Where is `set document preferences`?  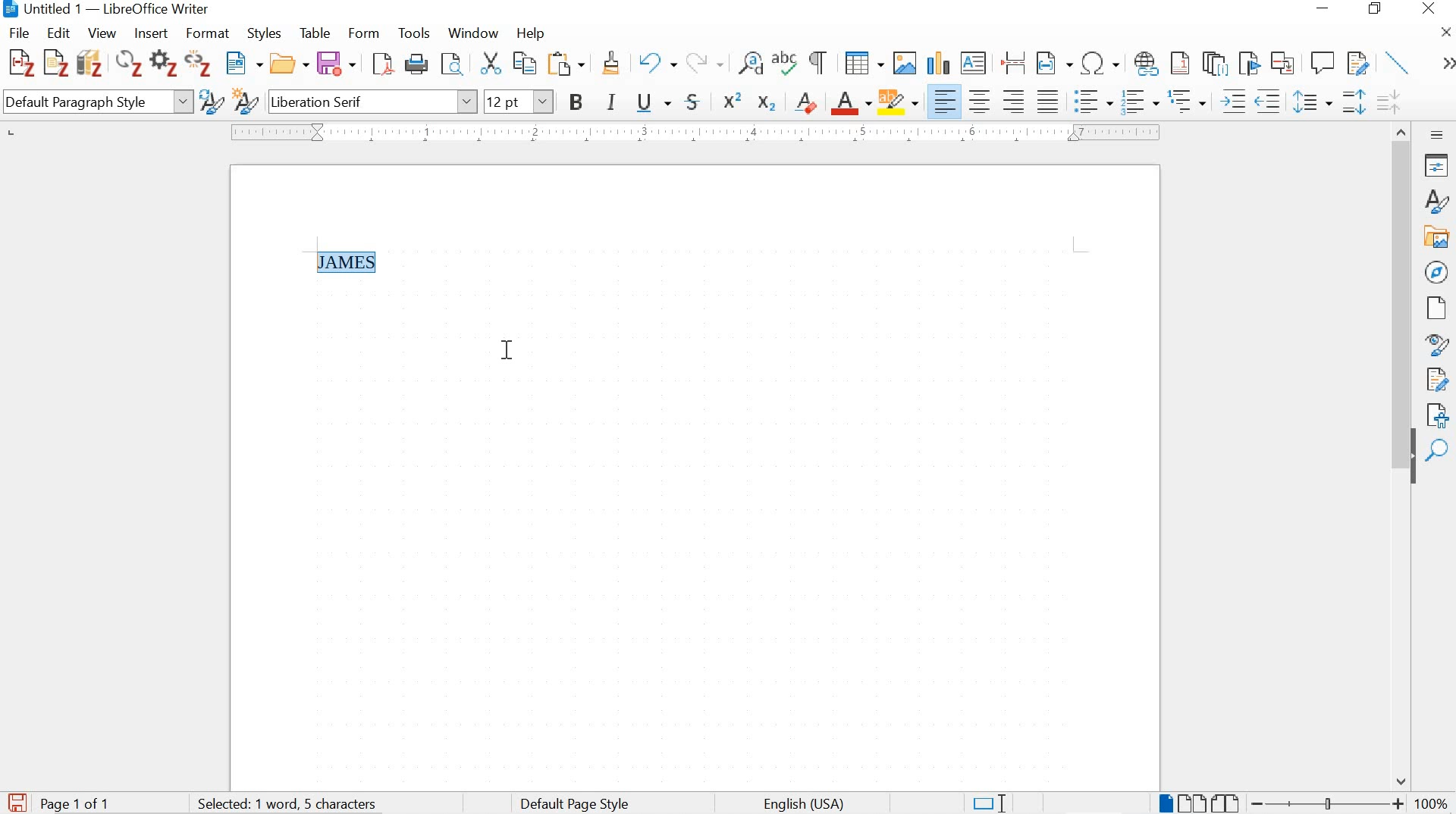 set document preferences is located at coordinates (163, 65).